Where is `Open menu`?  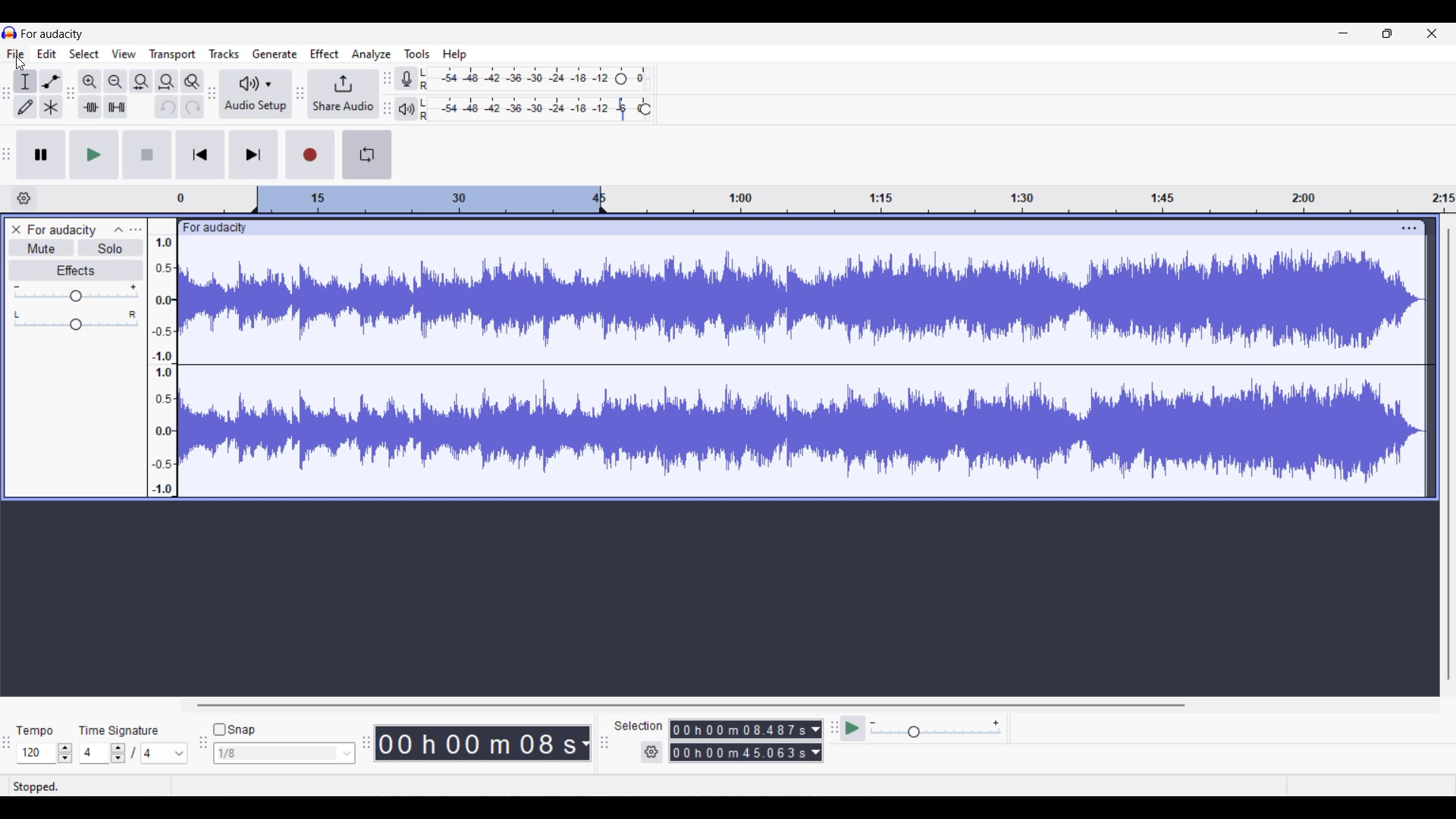
Open menu is located at coordinates (136, 229).